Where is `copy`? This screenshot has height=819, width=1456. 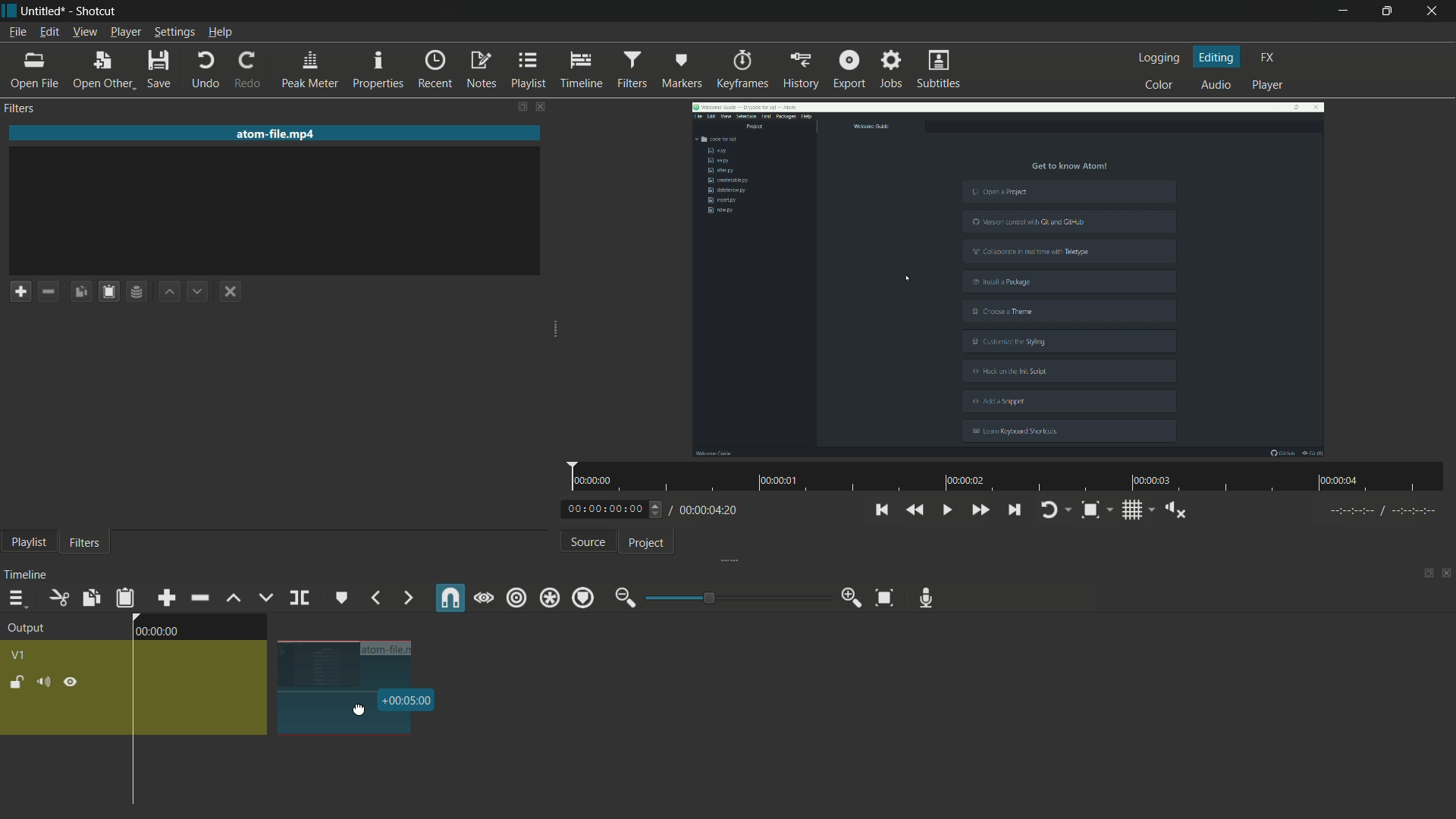 copy is located at coordinates (90, 598).